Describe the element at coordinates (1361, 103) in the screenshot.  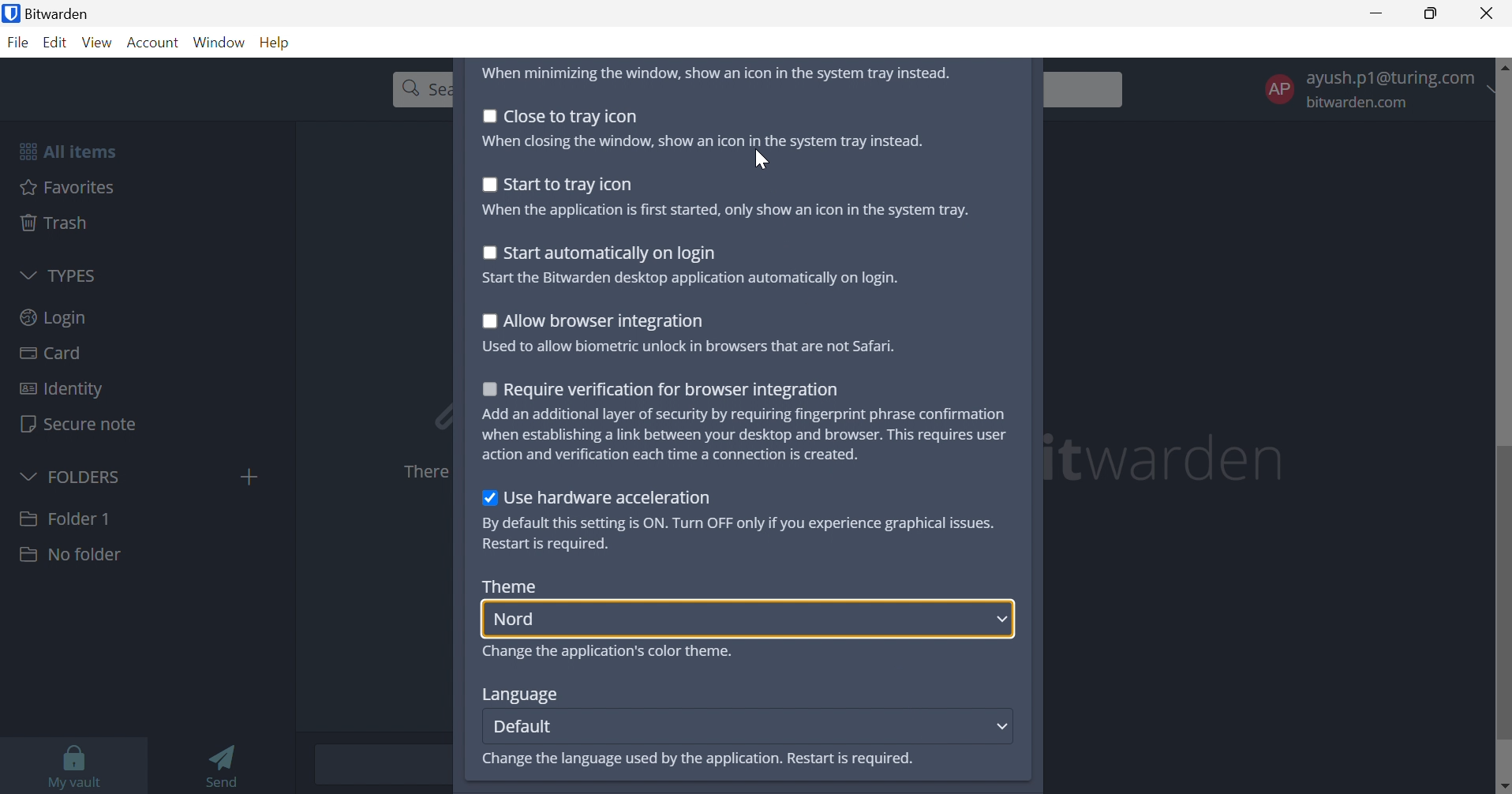
I see `bitwarden.com` at that location.